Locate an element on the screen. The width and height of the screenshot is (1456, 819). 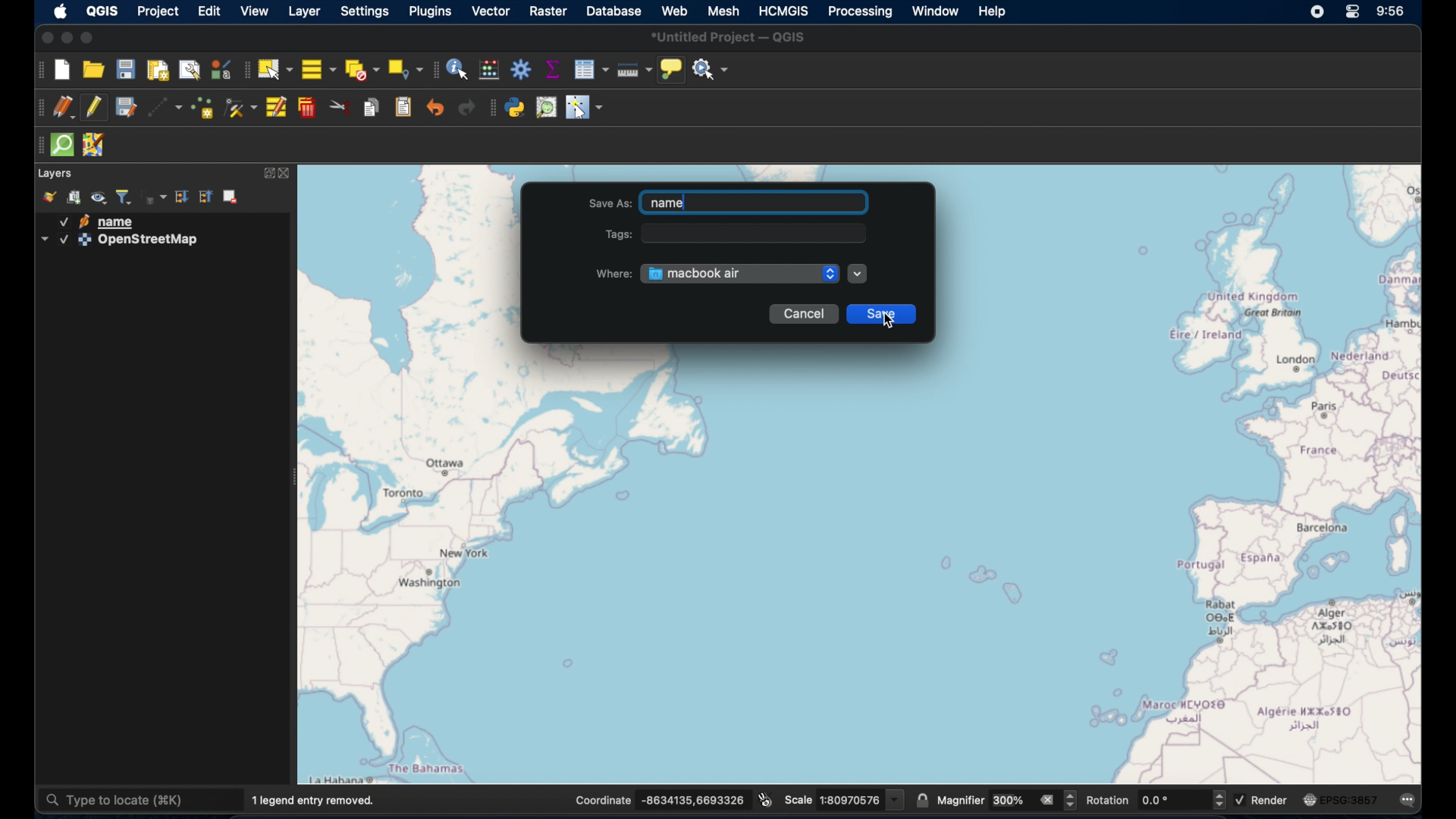
open field calculator is located at coordinates (488, 70).